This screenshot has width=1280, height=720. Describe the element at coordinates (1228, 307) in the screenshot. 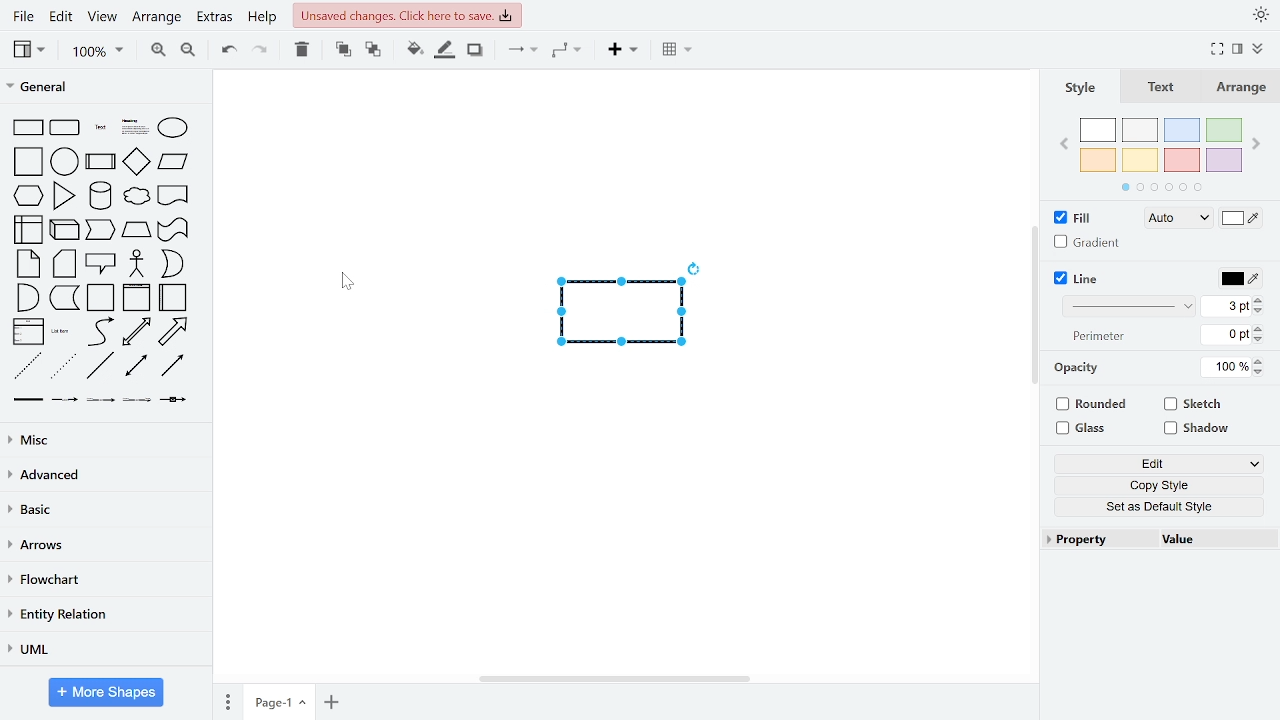

I see `current line width` at that location.